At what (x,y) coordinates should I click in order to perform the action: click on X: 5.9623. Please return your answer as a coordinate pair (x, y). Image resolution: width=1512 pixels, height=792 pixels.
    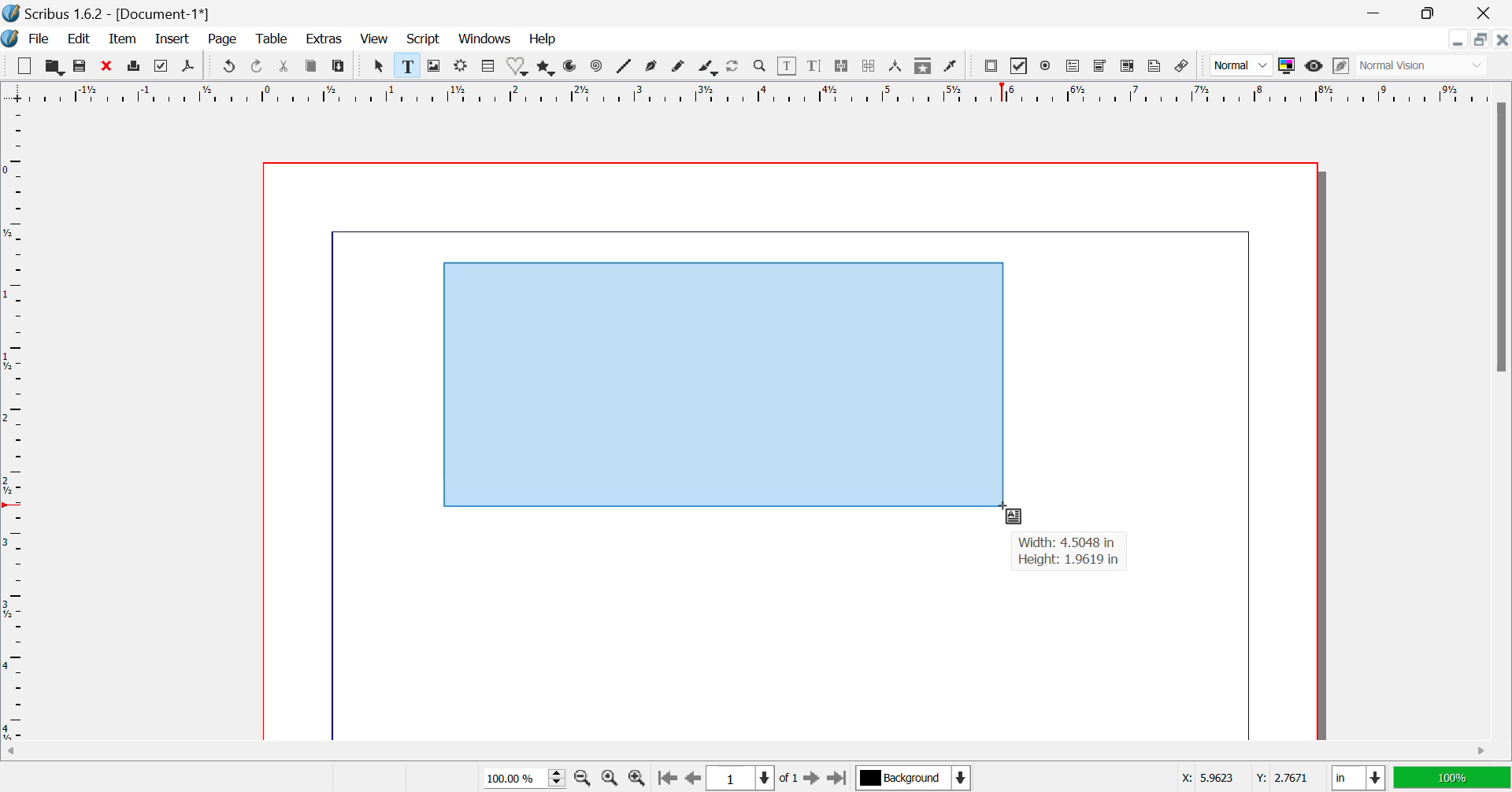
    Looking at the image, I should click on (1205, 776).